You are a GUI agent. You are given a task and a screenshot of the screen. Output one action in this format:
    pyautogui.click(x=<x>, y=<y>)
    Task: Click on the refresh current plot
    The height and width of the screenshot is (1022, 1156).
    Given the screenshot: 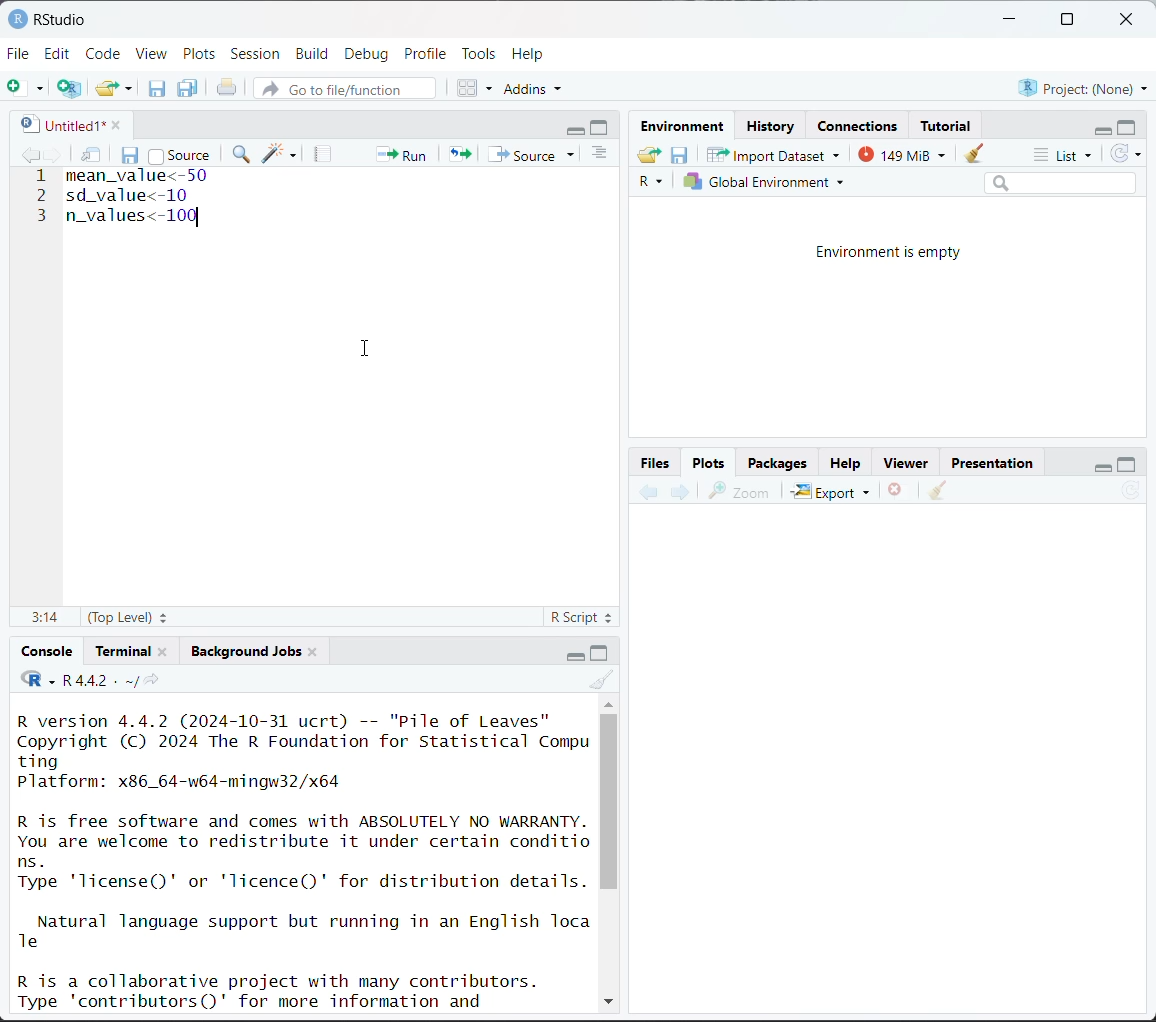 What is the action you would take?
    pyautogui.click(x=1131, y=493)
    